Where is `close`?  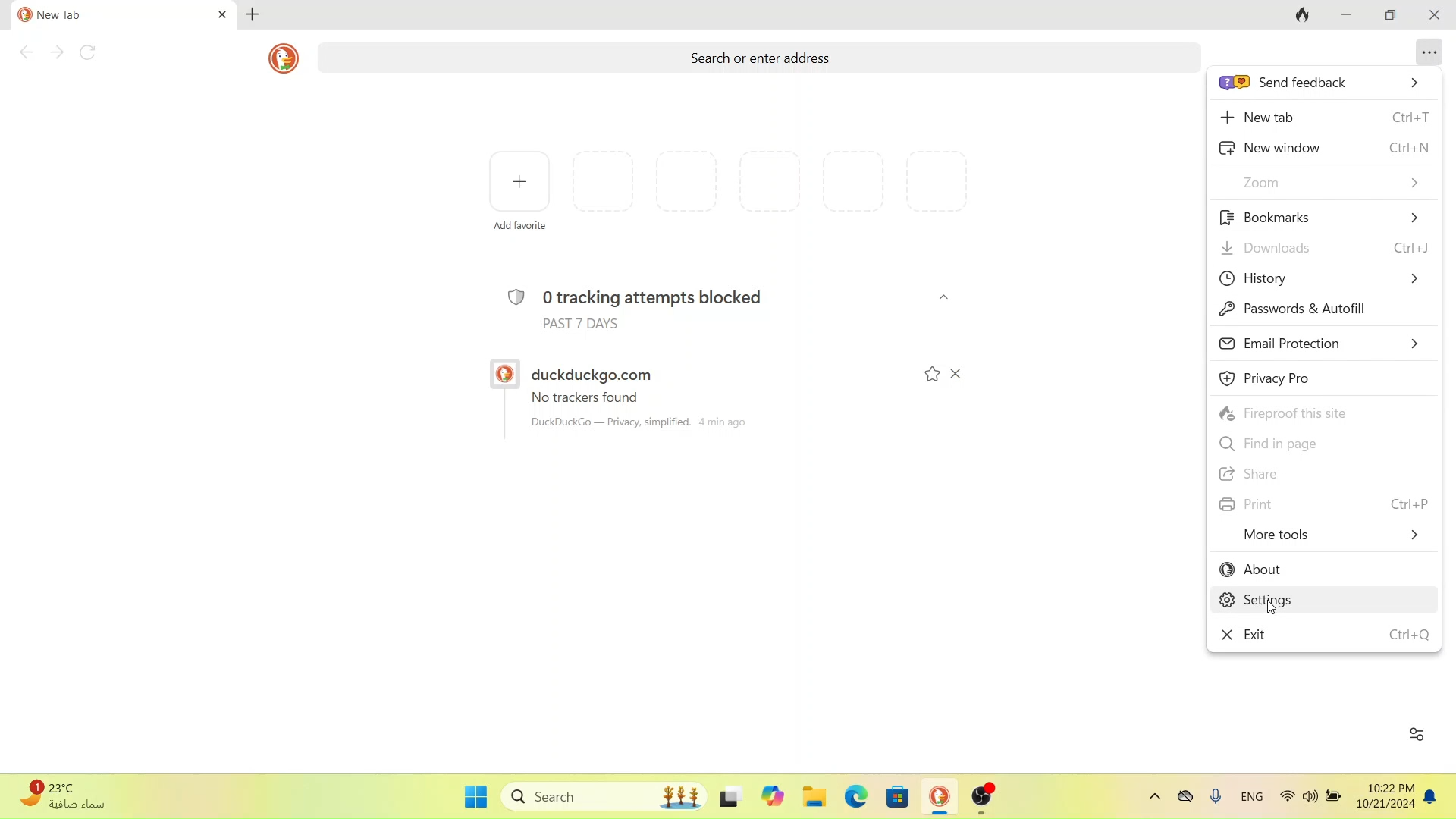
close is located at coordinates (1434, 14).